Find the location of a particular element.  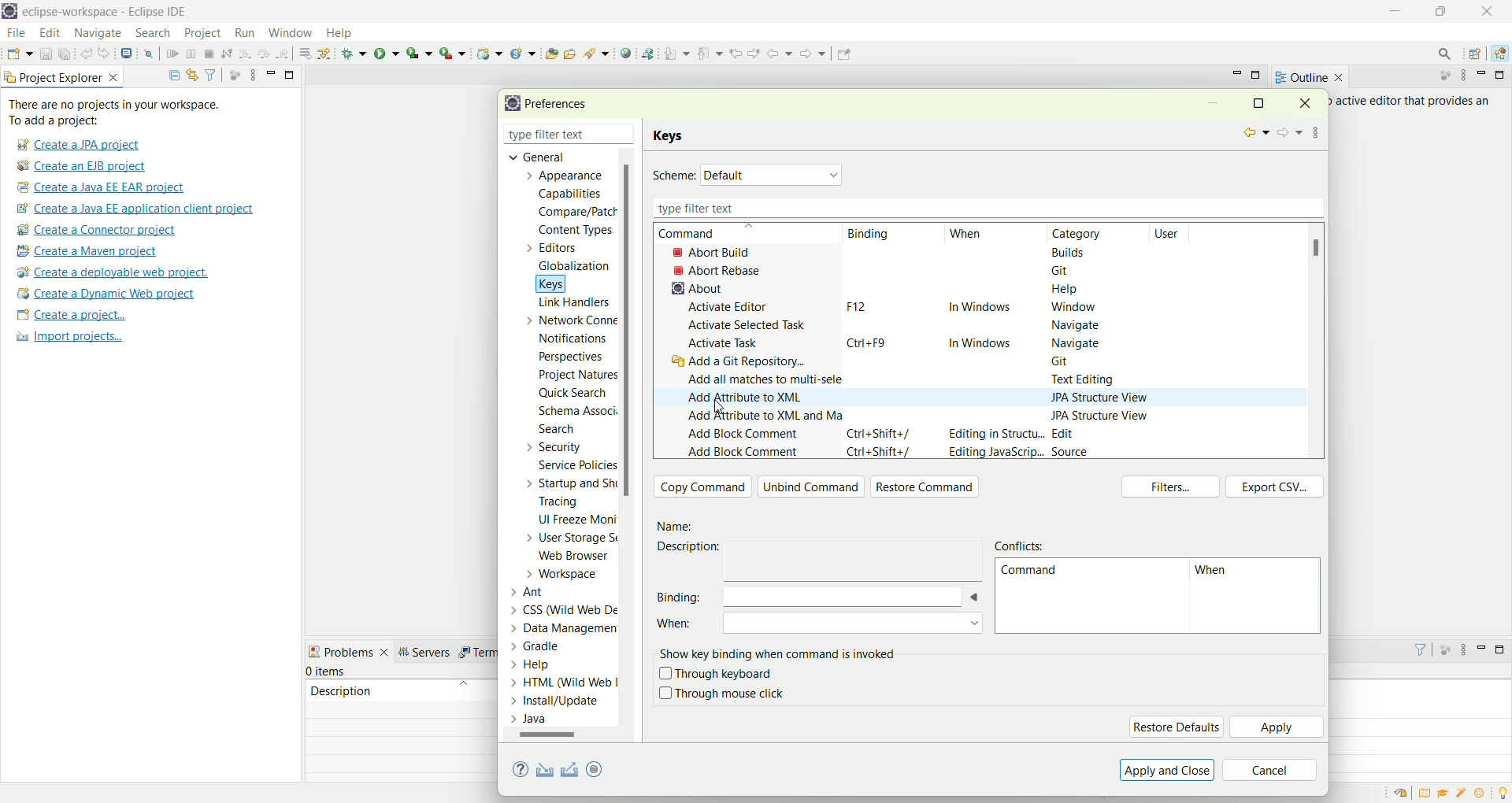

step over is located at coordinates (264, 53).